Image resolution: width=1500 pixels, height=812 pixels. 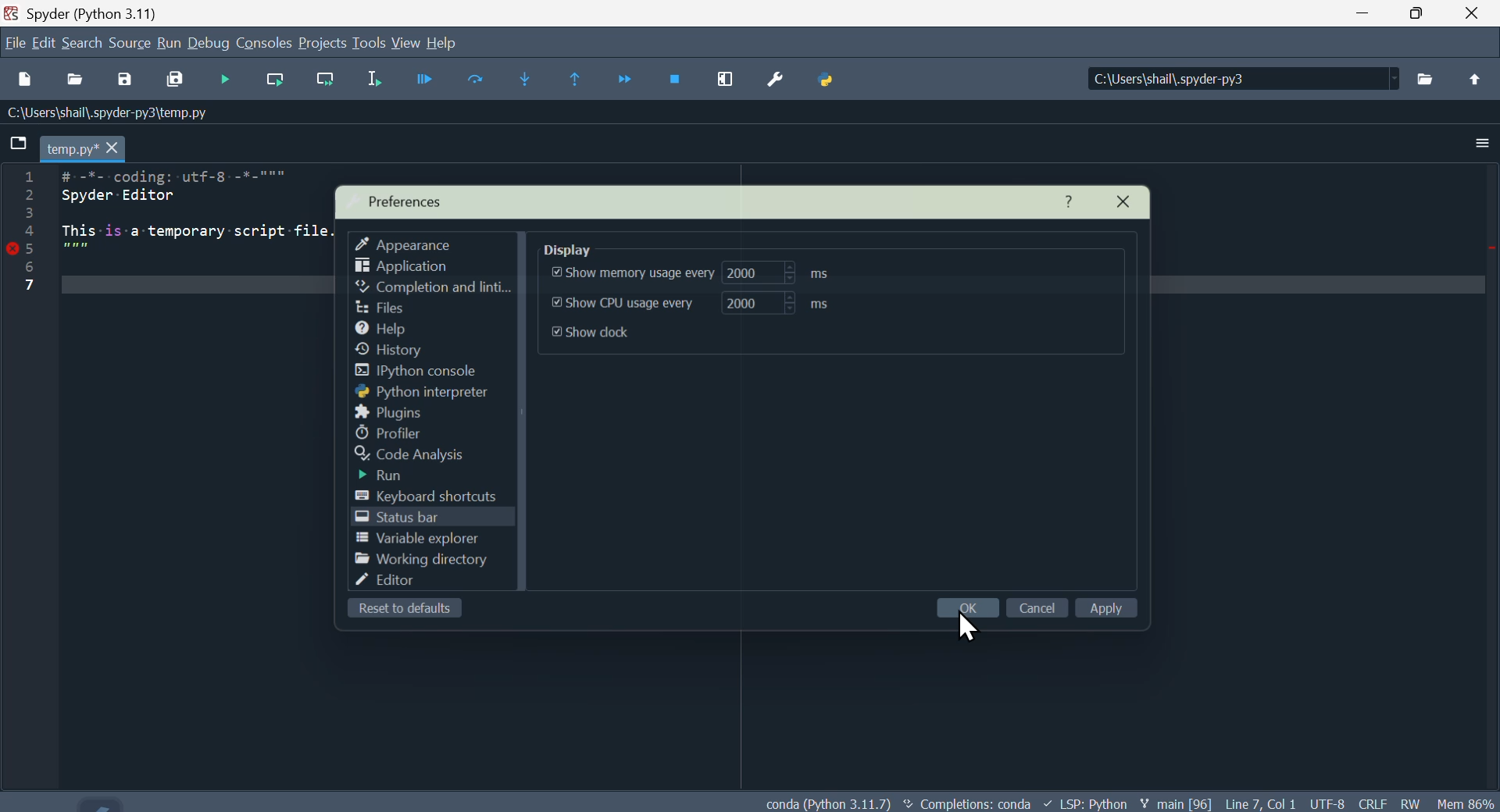 What do you see at coordinates (430, 372) in the screenshot?
I see `I python console` at bounding box center [430, 372].